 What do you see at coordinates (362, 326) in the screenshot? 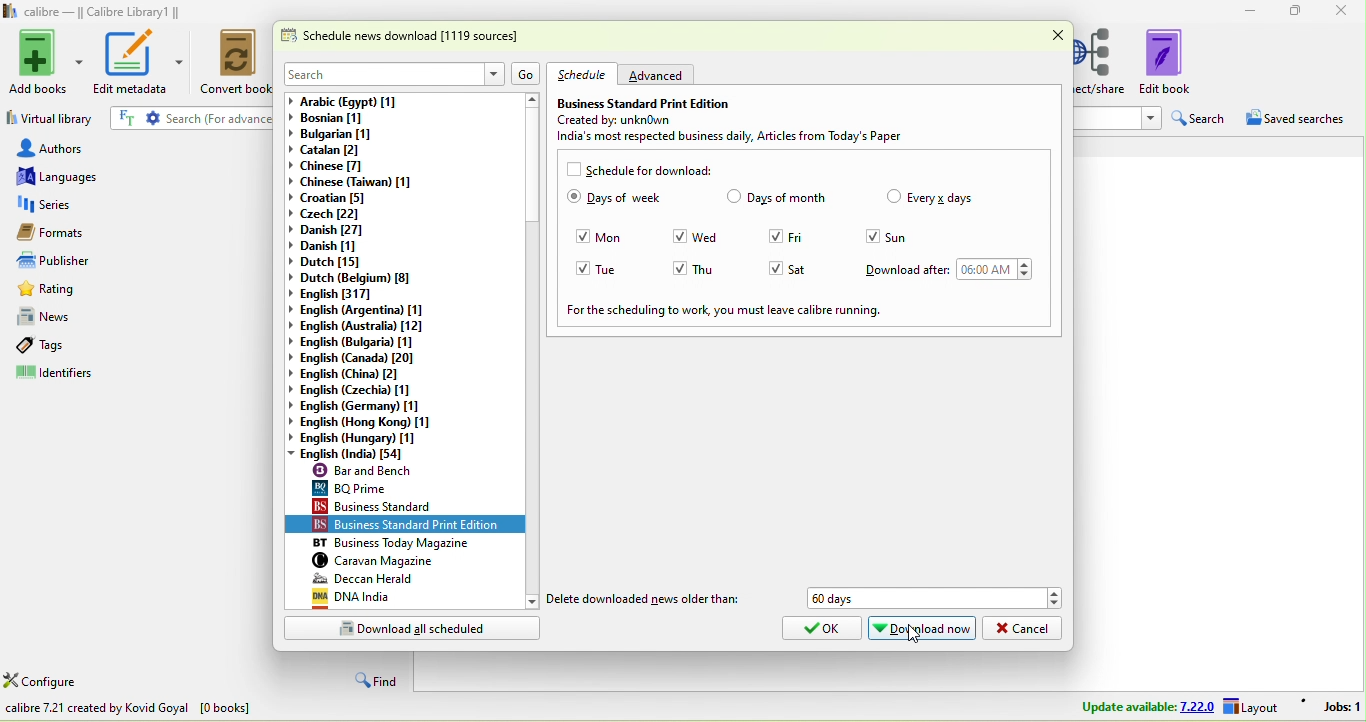
I see `english (australia)[12]` at bounding box center [362, 326].